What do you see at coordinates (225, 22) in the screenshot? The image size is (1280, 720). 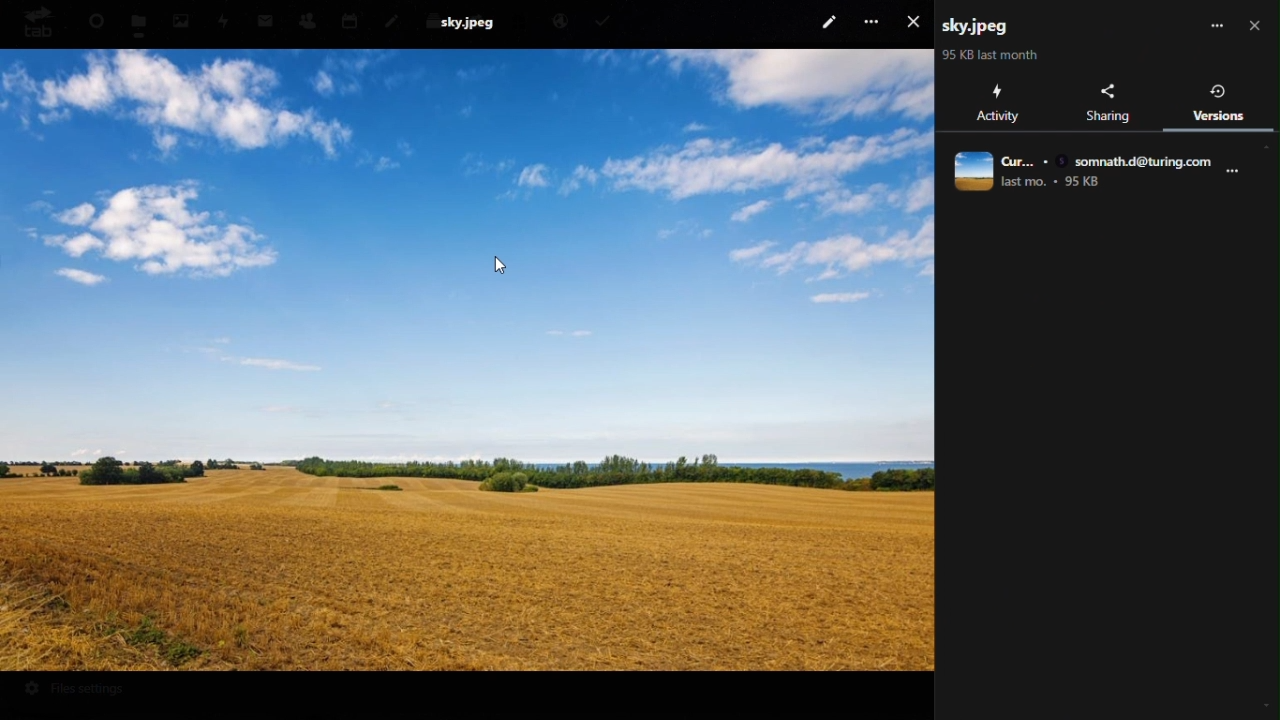 I see `Activity ` at bounding box center [225, 22].